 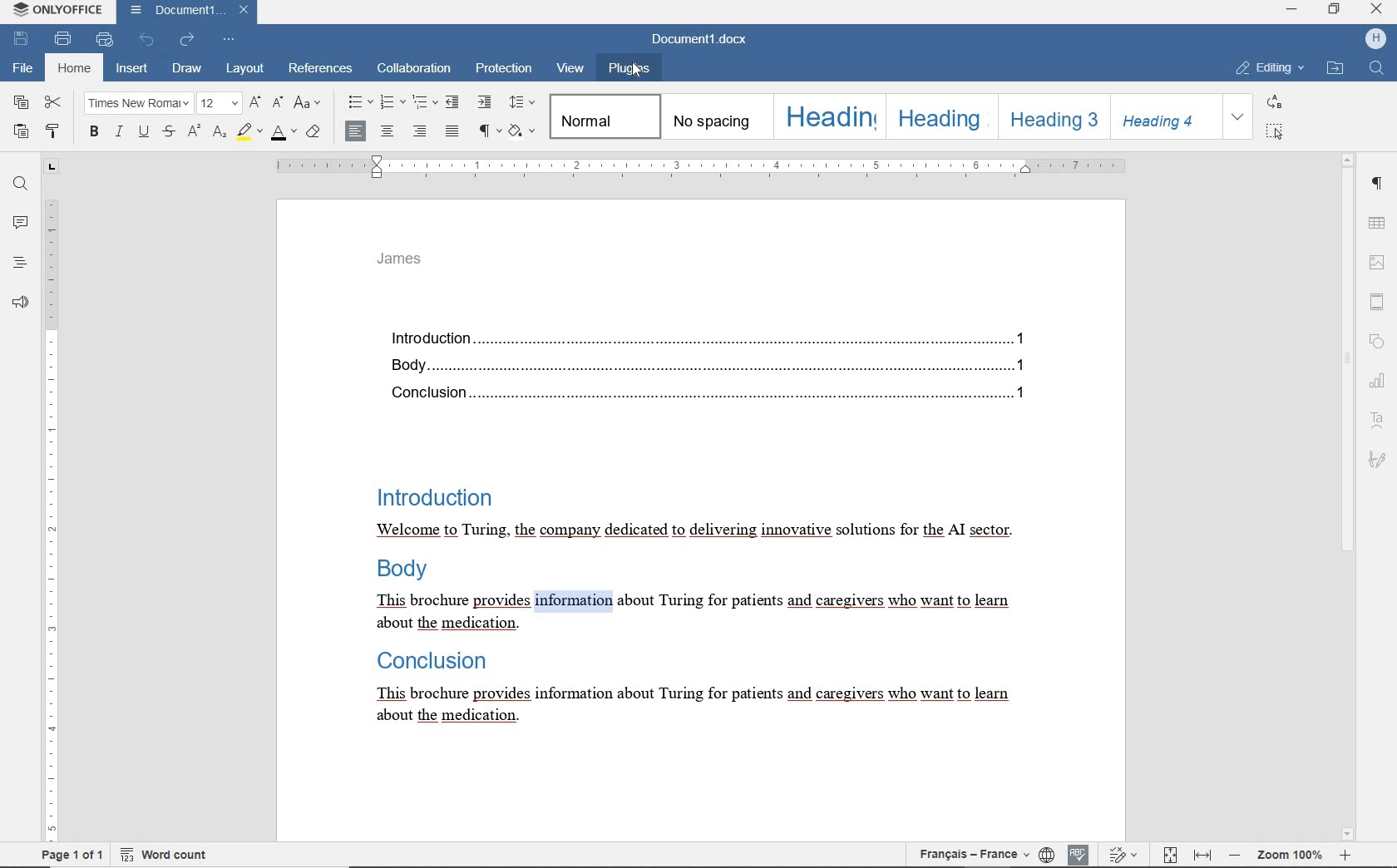 What do you see at coordinates (18, 262) in the screenshot?
I see `HEADINGS` at bounding box center [18, 262].